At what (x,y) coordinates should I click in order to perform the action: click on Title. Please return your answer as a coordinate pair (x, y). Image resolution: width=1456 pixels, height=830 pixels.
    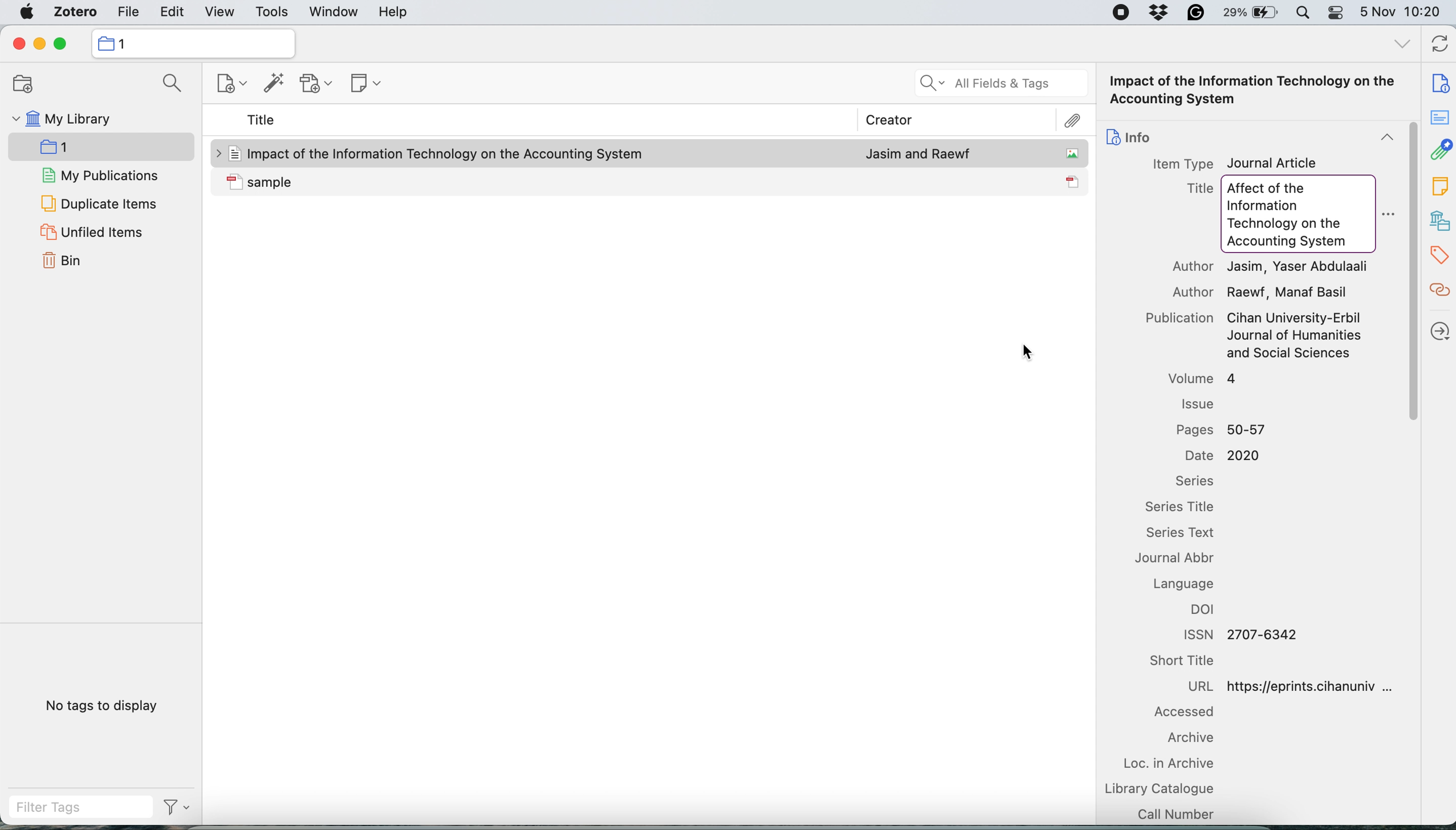
    Looking at the image, I should click on (1201, 189).